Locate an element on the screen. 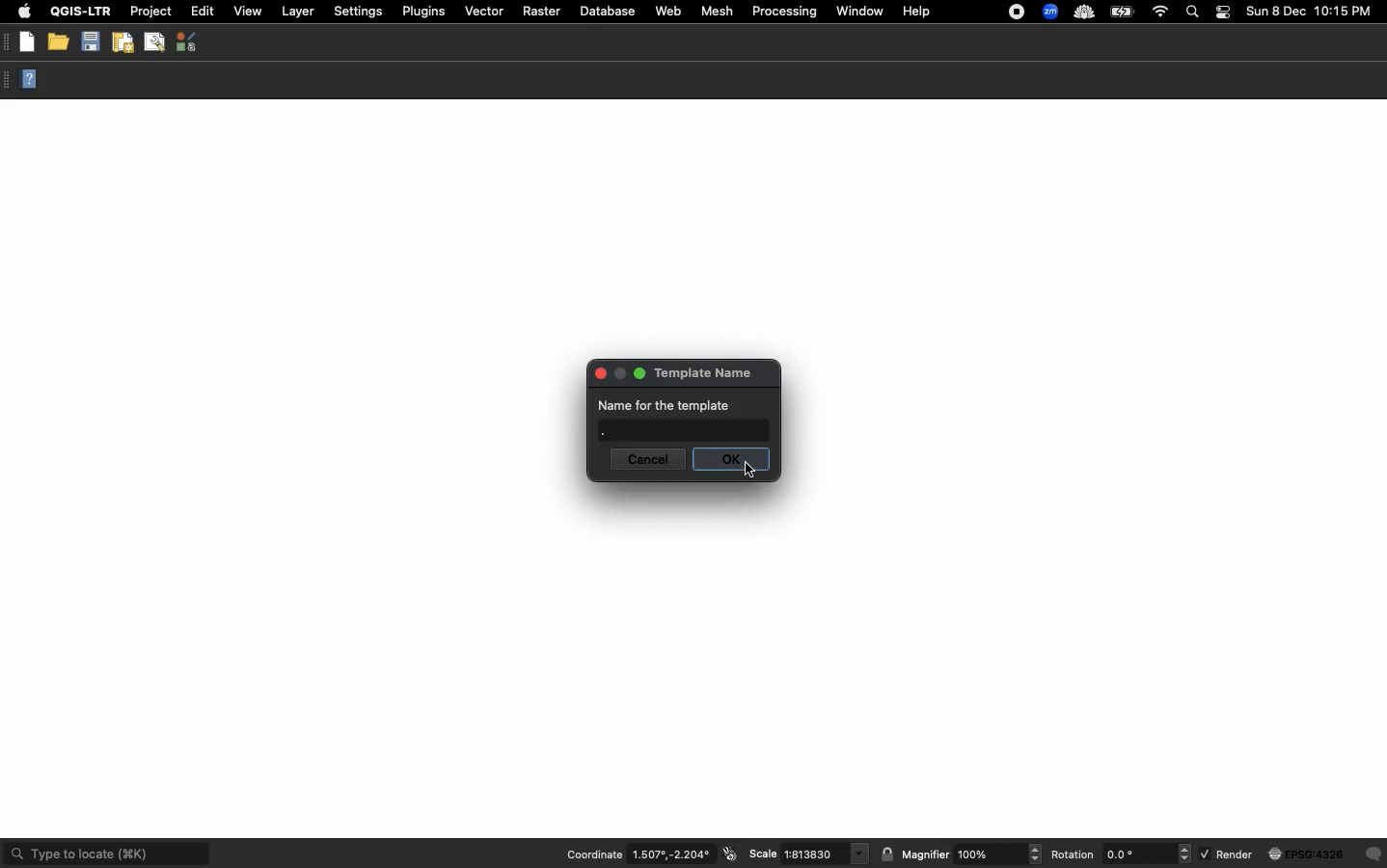 The width and height of the screenshot is (1387, 868). Recording is located at coordinates (1015, 12).